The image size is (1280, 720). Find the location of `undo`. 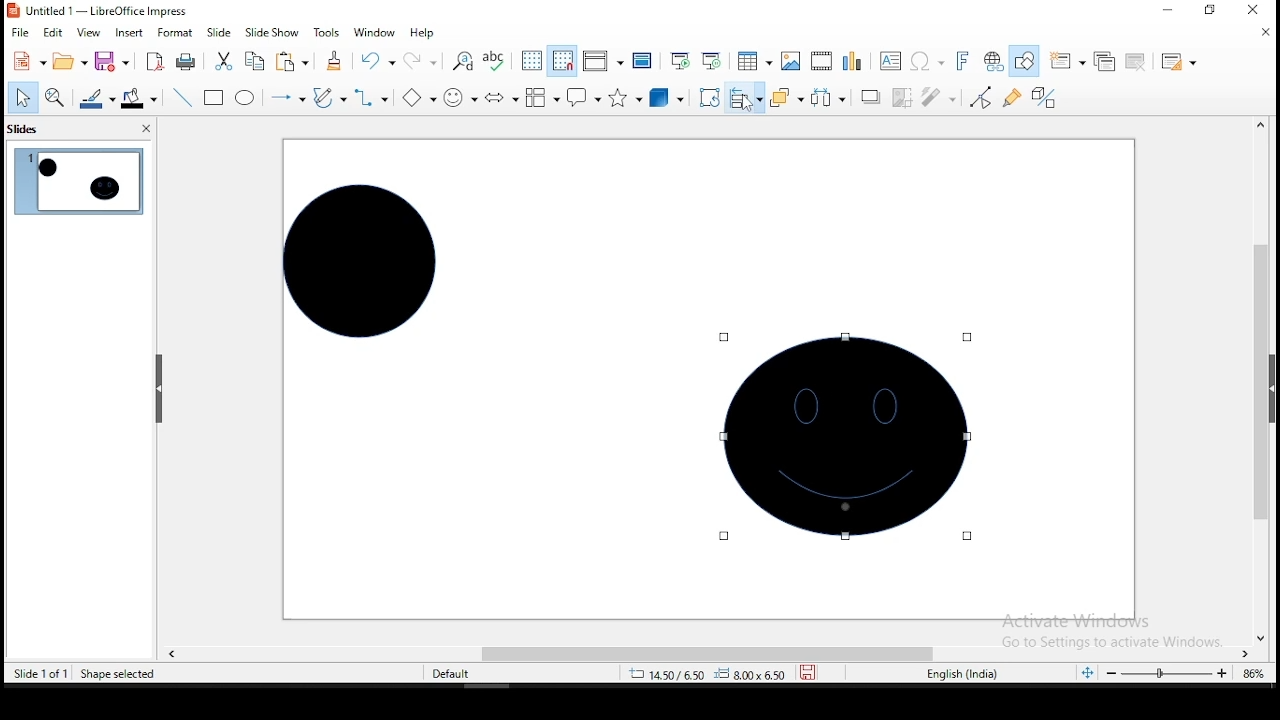

undo is located at coordinates (377, 61).